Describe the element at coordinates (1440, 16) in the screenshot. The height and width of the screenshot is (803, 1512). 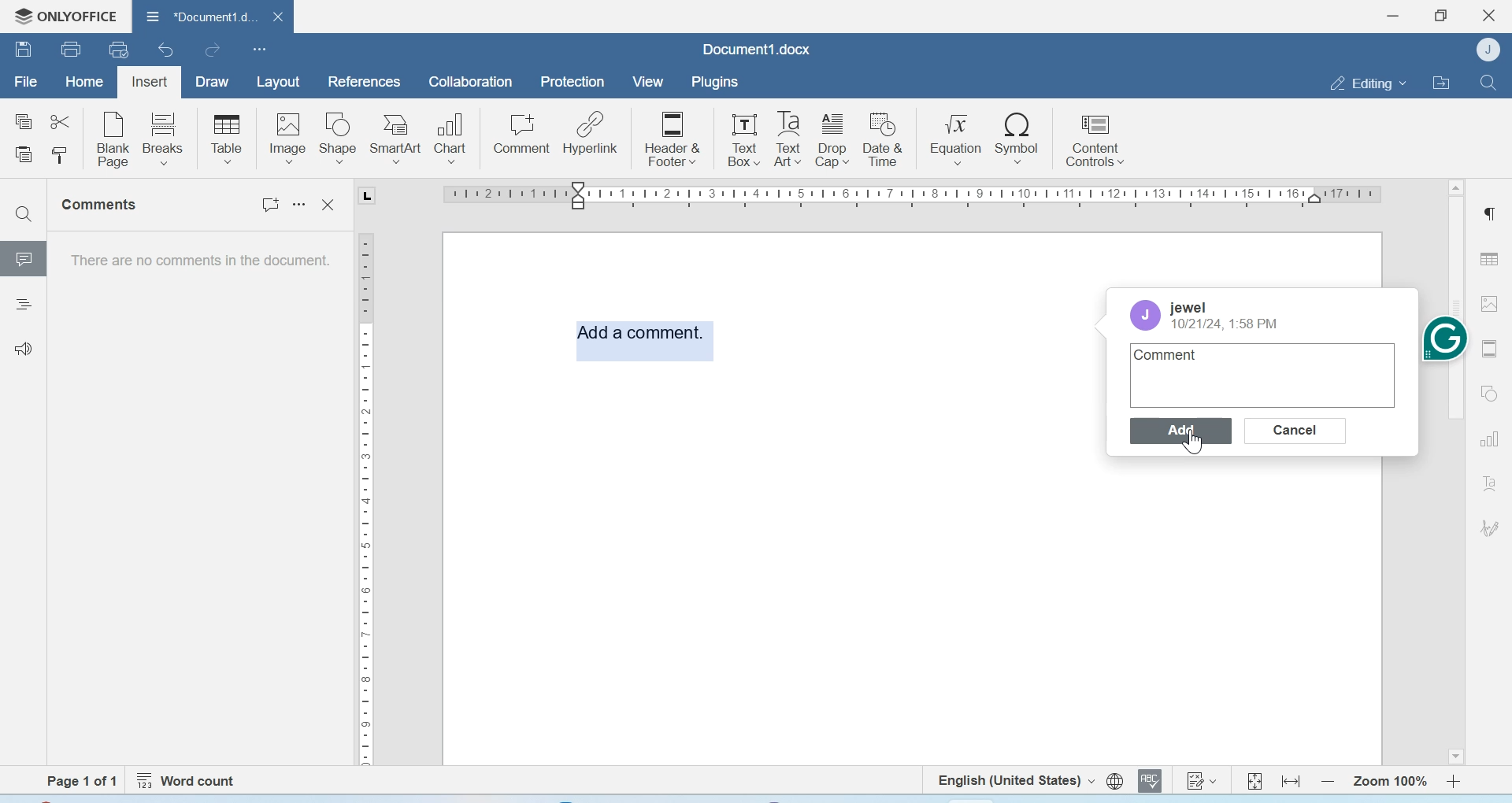
I see `Maximize` at that location.